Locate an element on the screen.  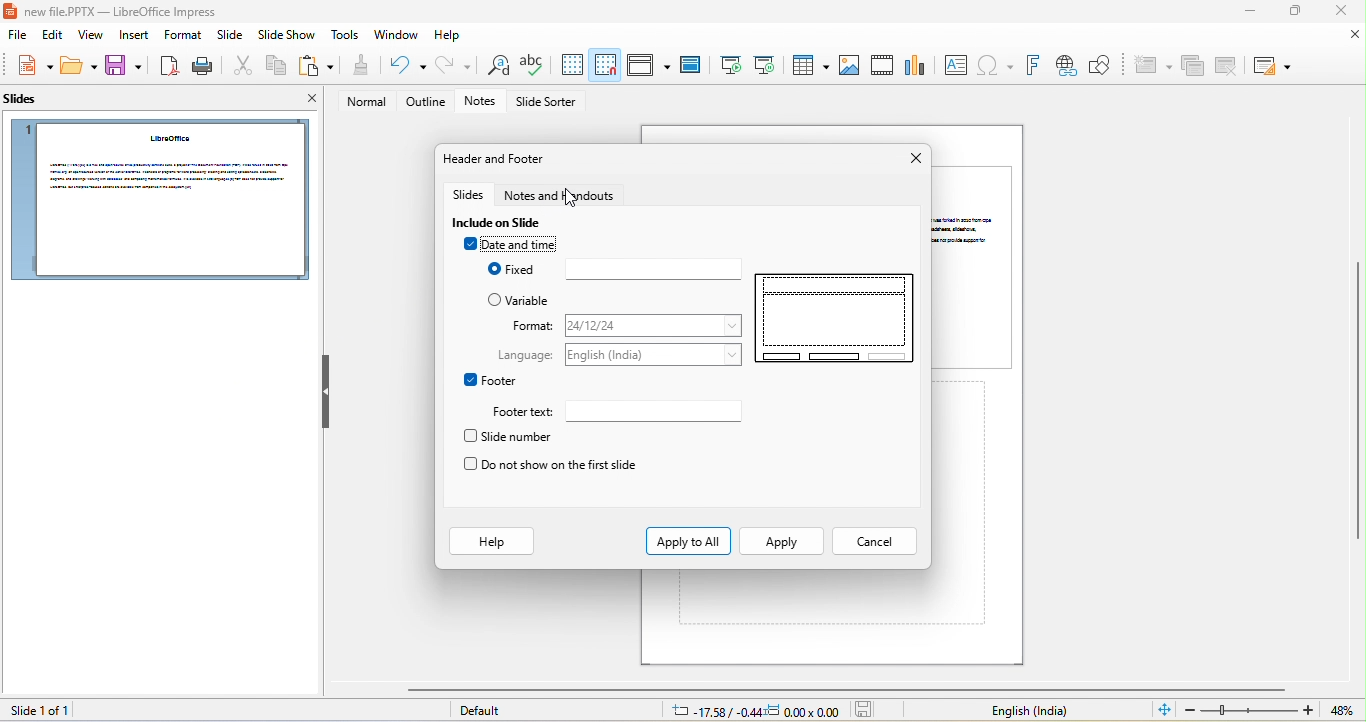
snap to grid is located at coordinates (606, 64).